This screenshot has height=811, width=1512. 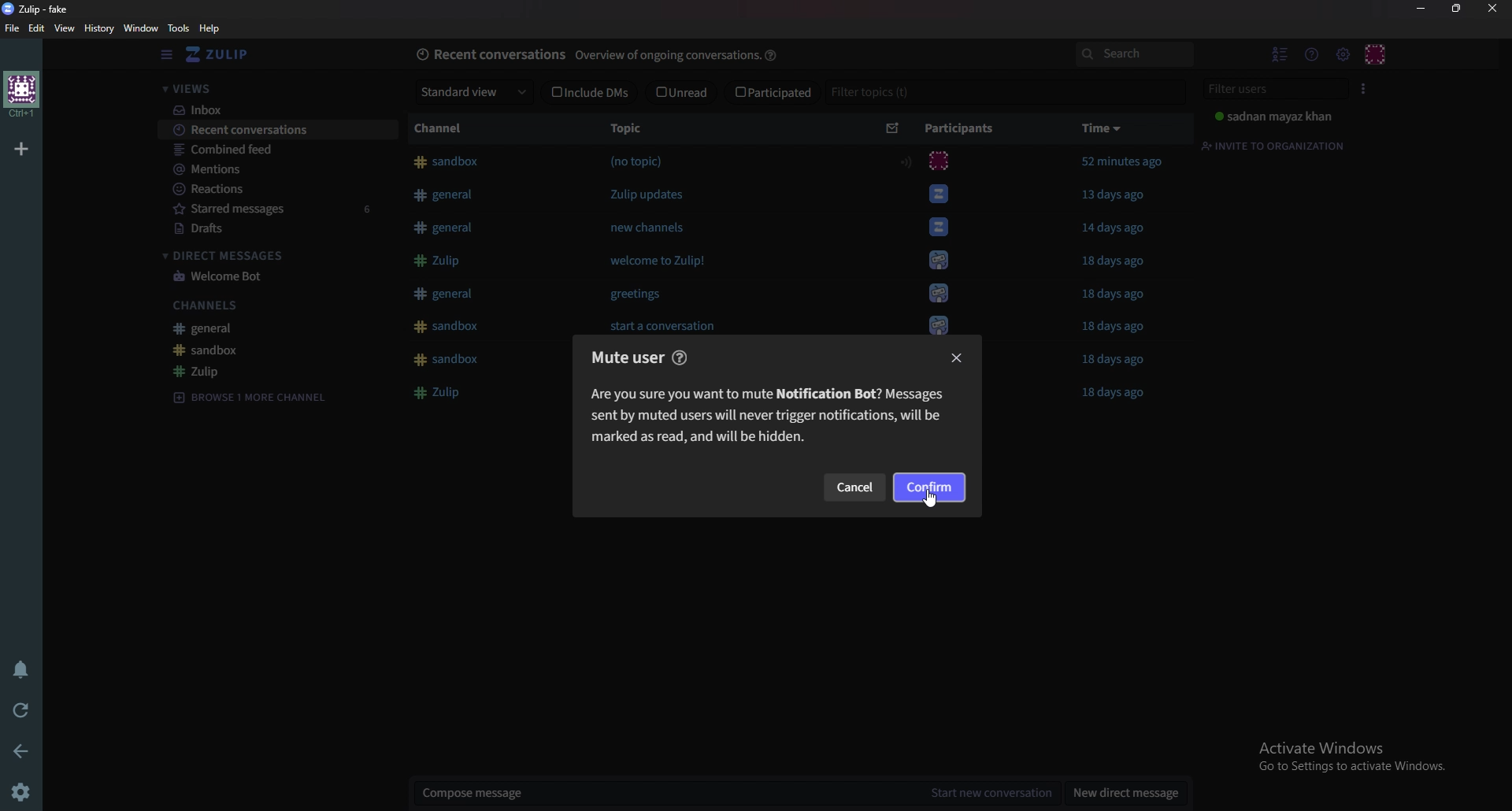 I want to click on 14 days ago, so click(x=1117, y=228).